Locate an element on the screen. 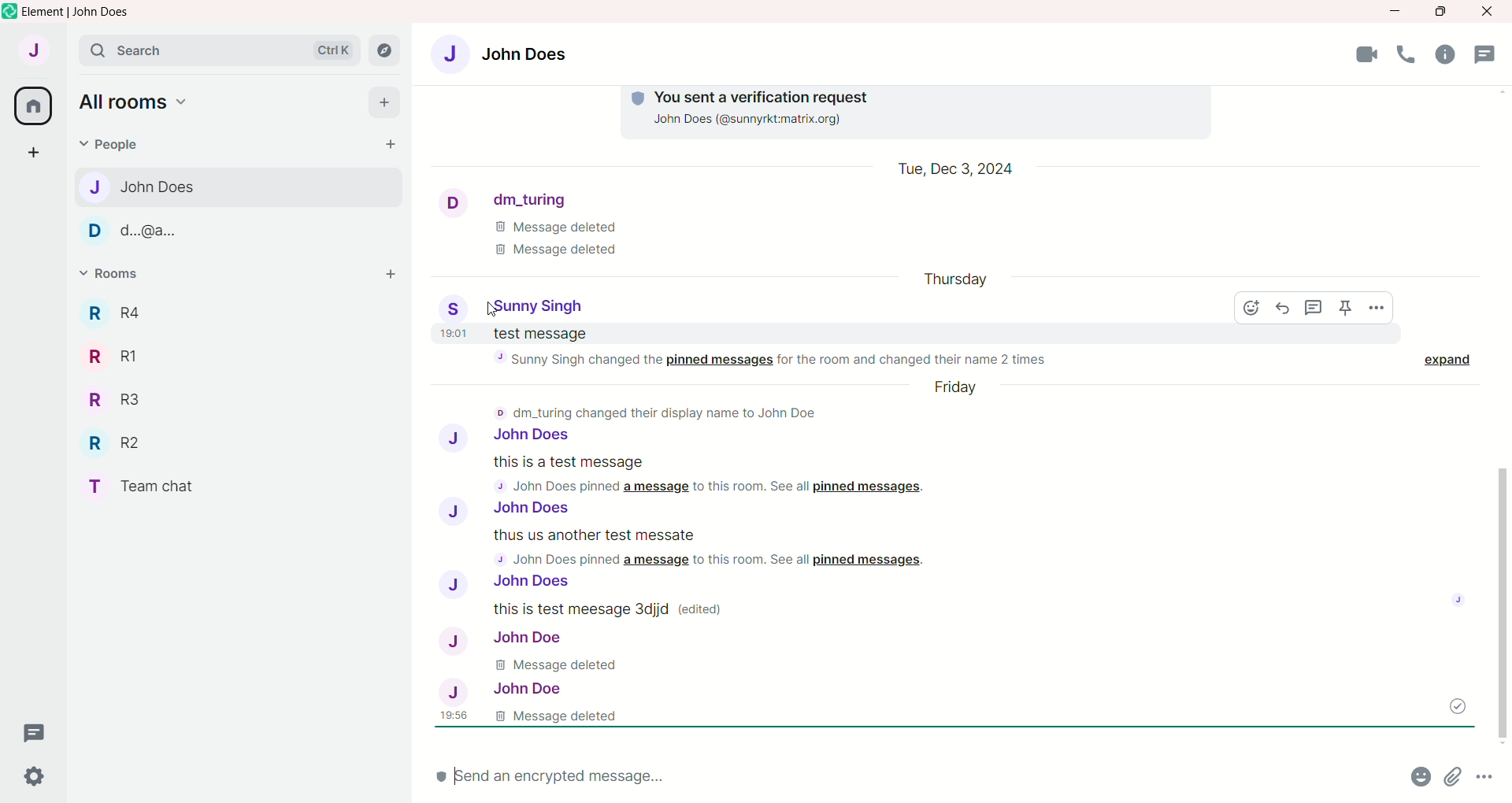  thread is located at coordinates (1485, 54).